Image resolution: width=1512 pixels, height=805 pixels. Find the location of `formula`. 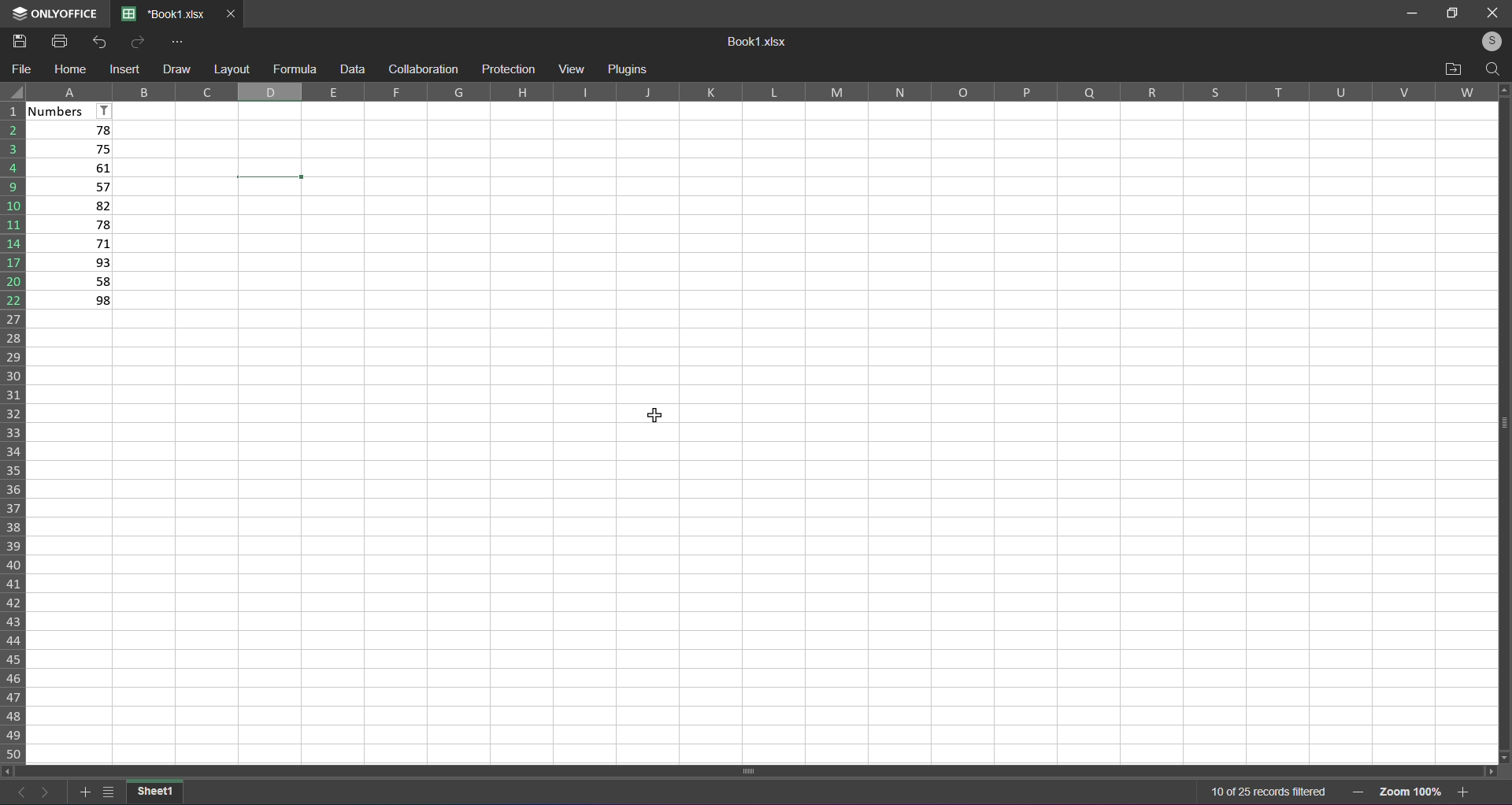

formula is located at coordinates (295, 67).